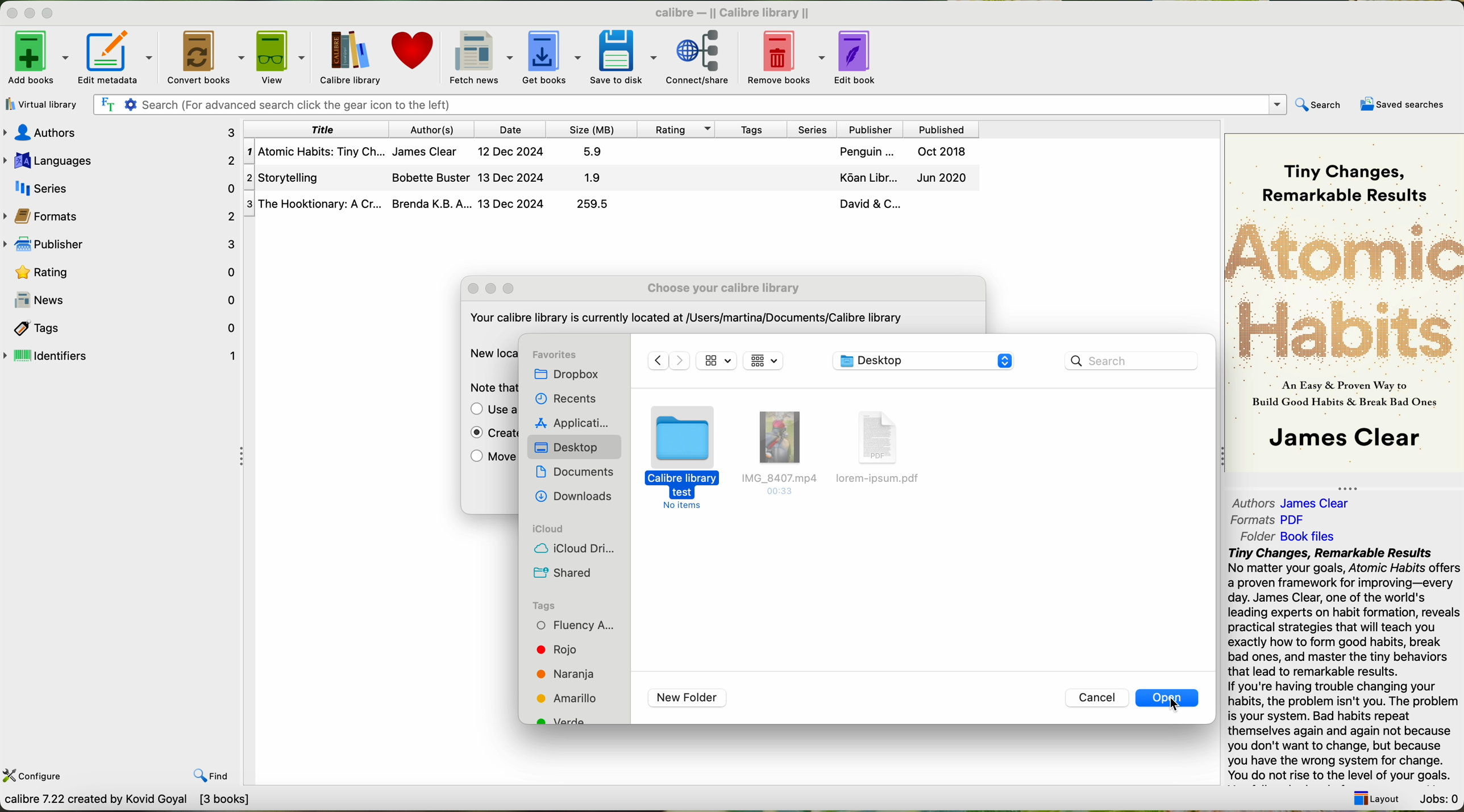 The width and height of the screenshot is (1464, 812). Describe the element at coordinates (10, 13) in the screenshot. I see `close program` at that location.